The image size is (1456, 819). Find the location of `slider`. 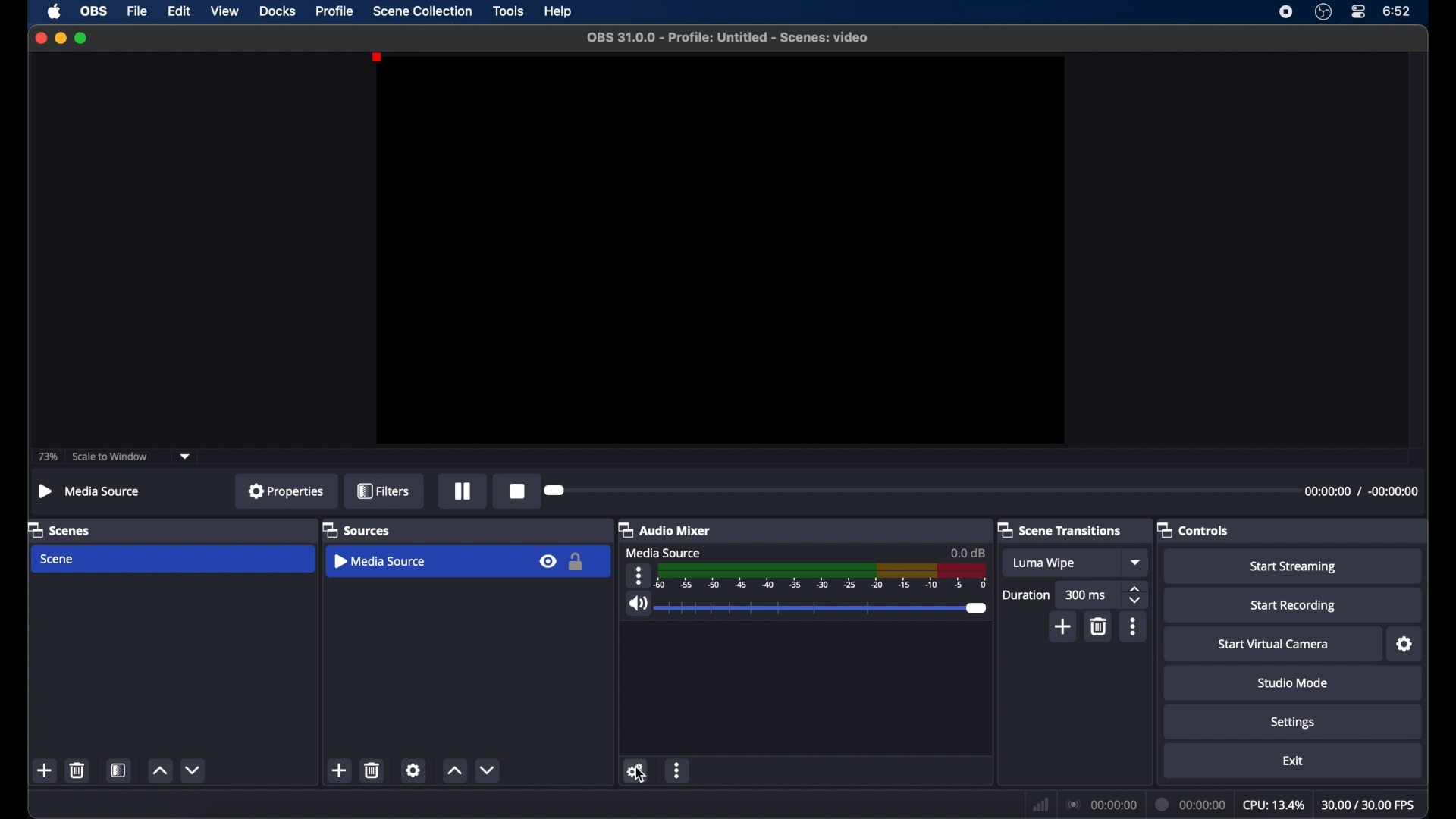

slider is located at coordinates (555, 490).